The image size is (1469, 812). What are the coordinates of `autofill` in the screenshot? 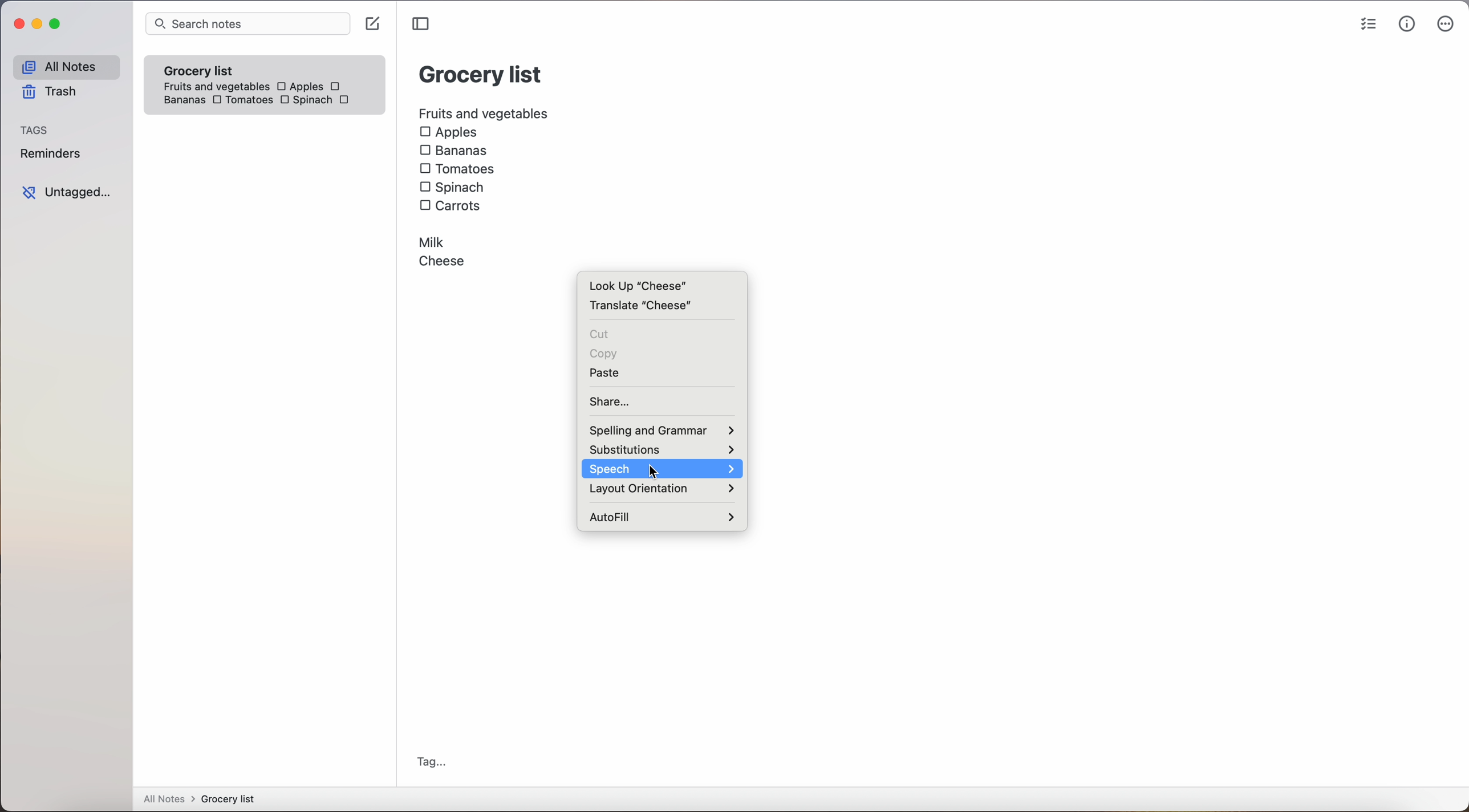 It's located at (662, 515).